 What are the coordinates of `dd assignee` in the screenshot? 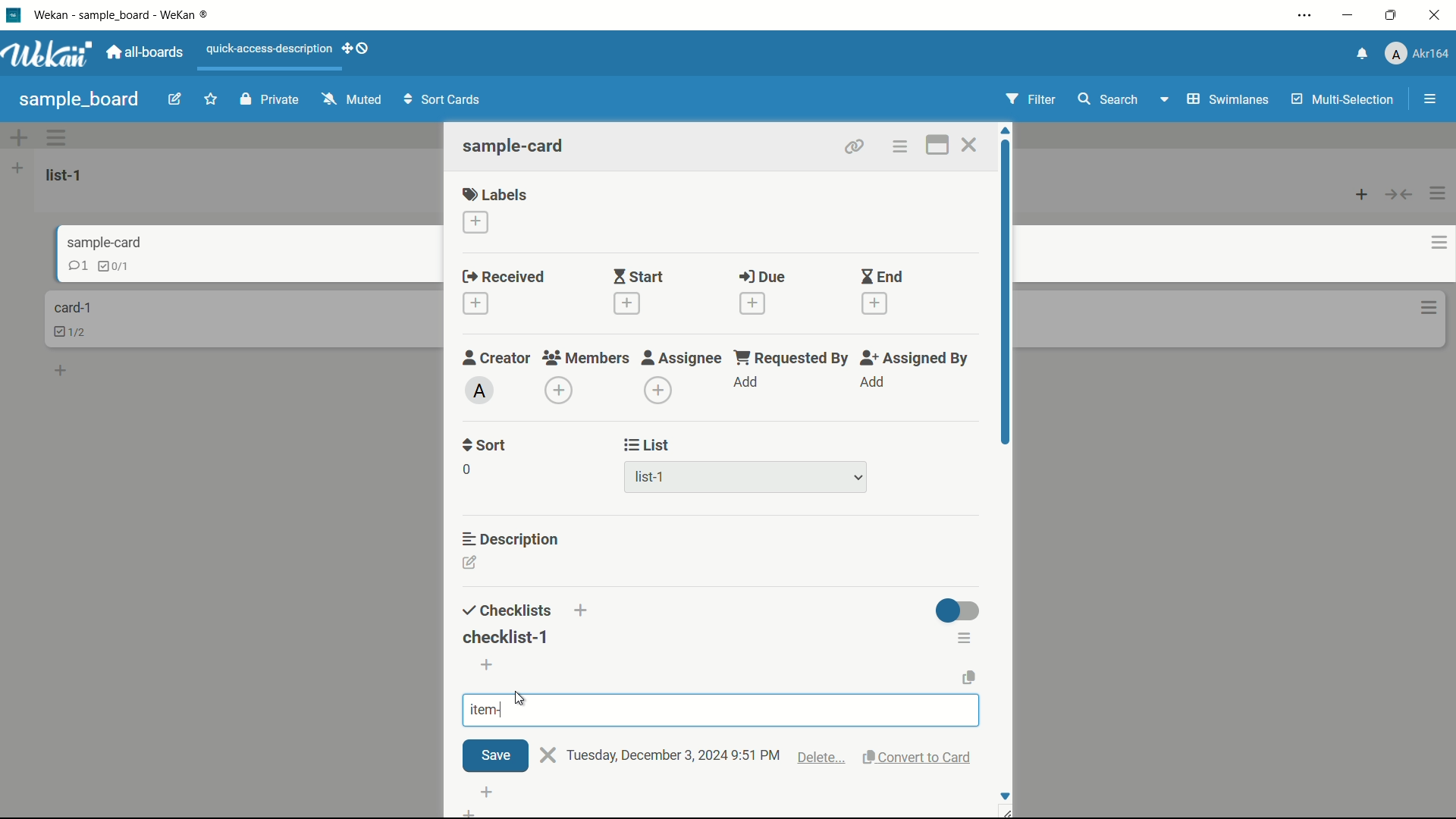 It's located at (657, 391).